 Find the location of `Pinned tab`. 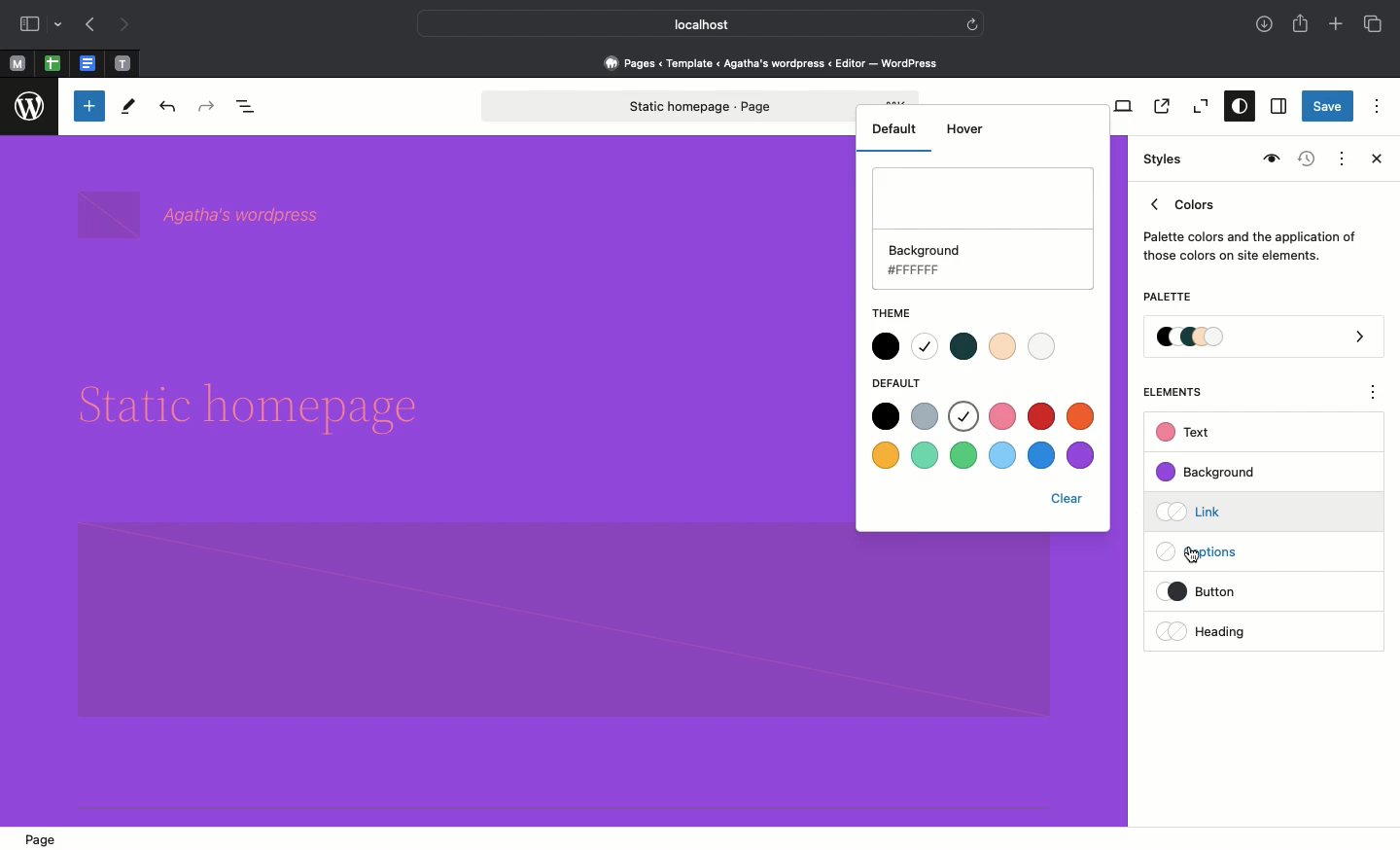

Pinned tab is located at coordinates (89, 64).